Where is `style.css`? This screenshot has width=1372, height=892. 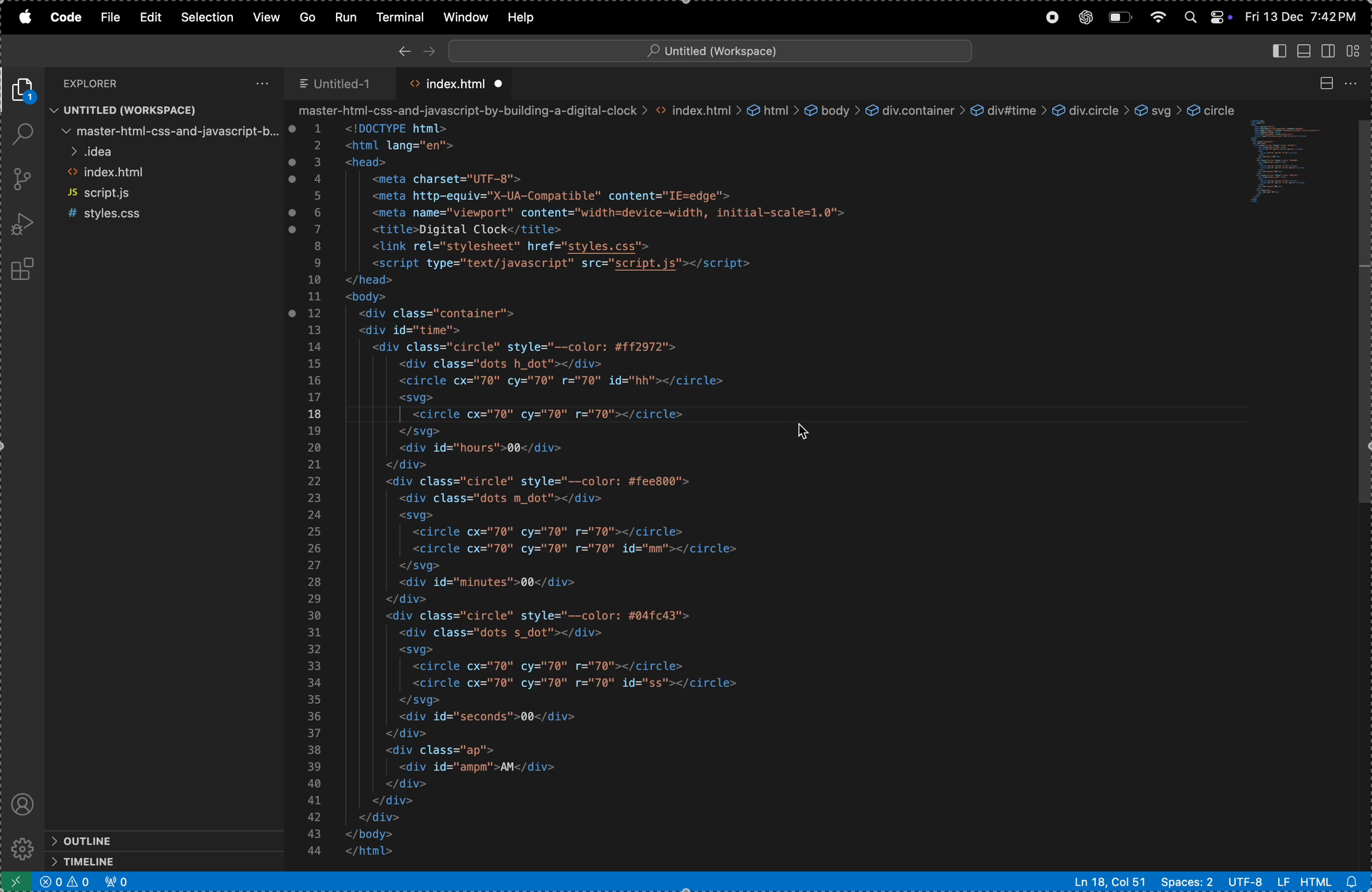
style.css is located at coordinates (163, 213).